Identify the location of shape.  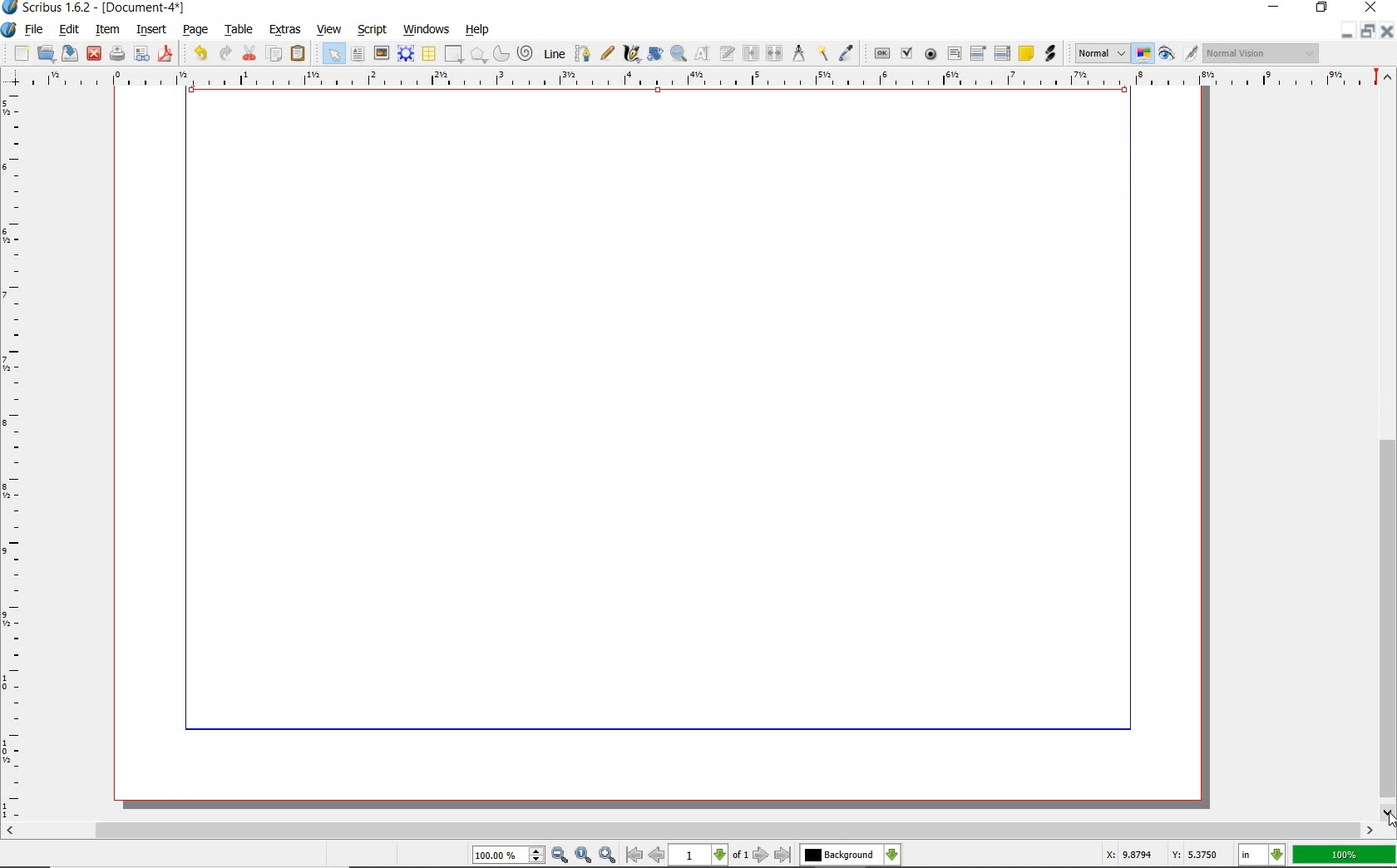
(454, 55).